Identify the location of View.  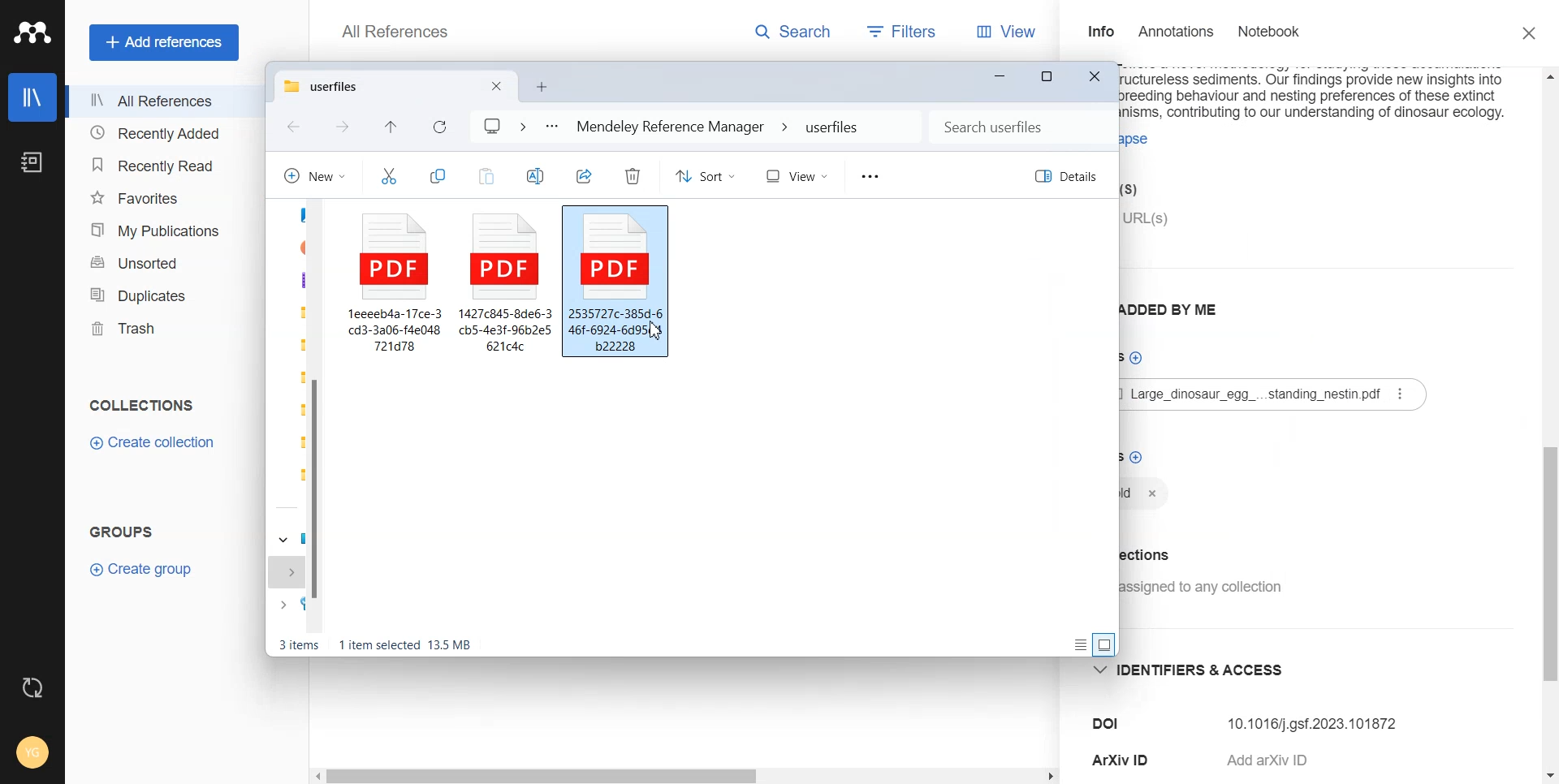
(1013, 31).